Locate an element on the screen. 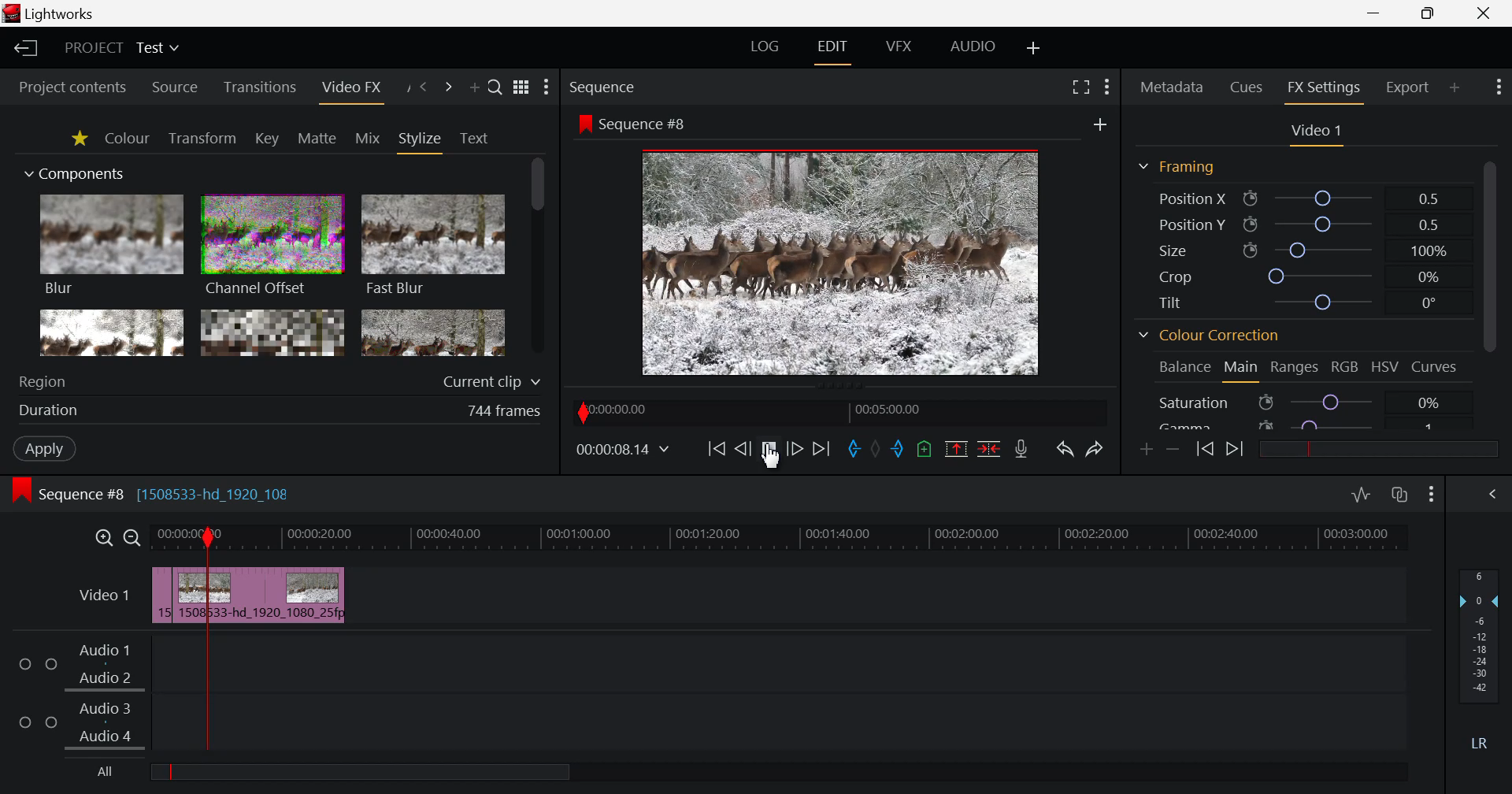 This screenshot has width=1512, height=794. Apply is located at coordinates (44, 448).